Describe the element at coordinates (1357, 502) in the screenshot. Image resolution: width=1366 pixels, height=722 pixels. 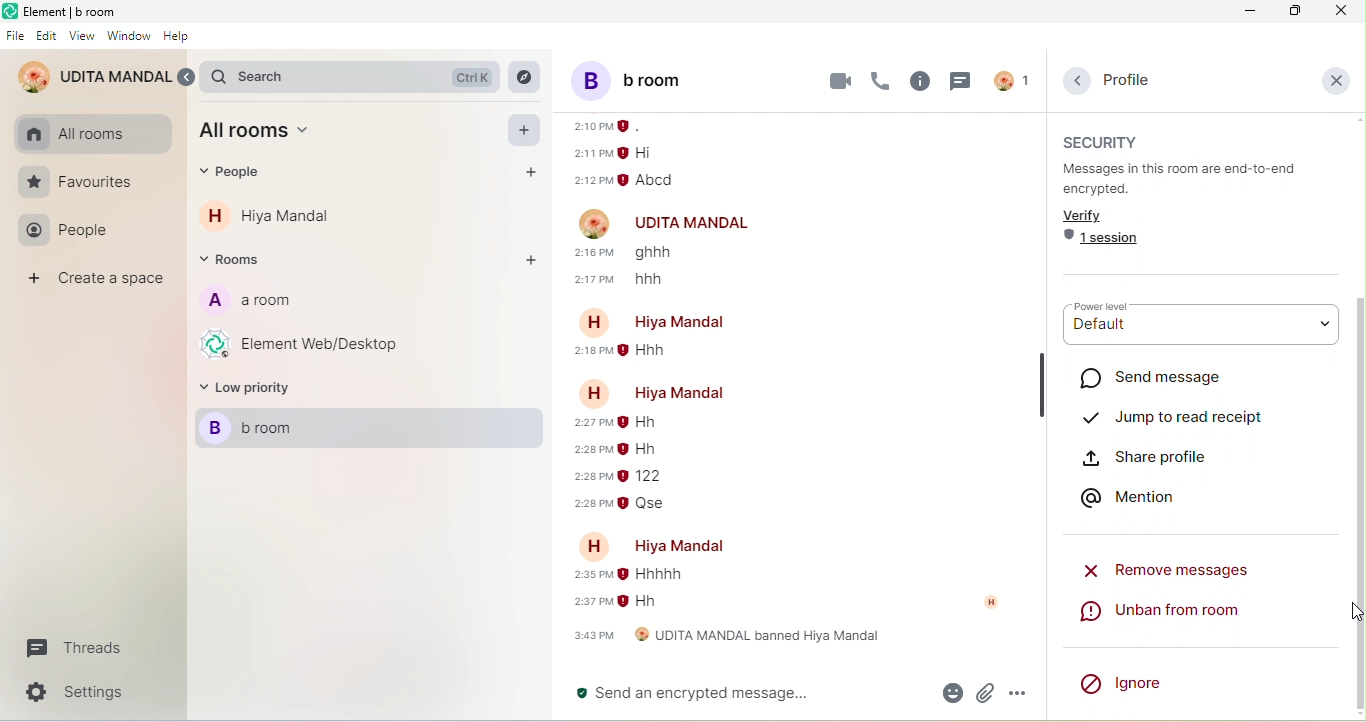
I see `scroll down` at that location.